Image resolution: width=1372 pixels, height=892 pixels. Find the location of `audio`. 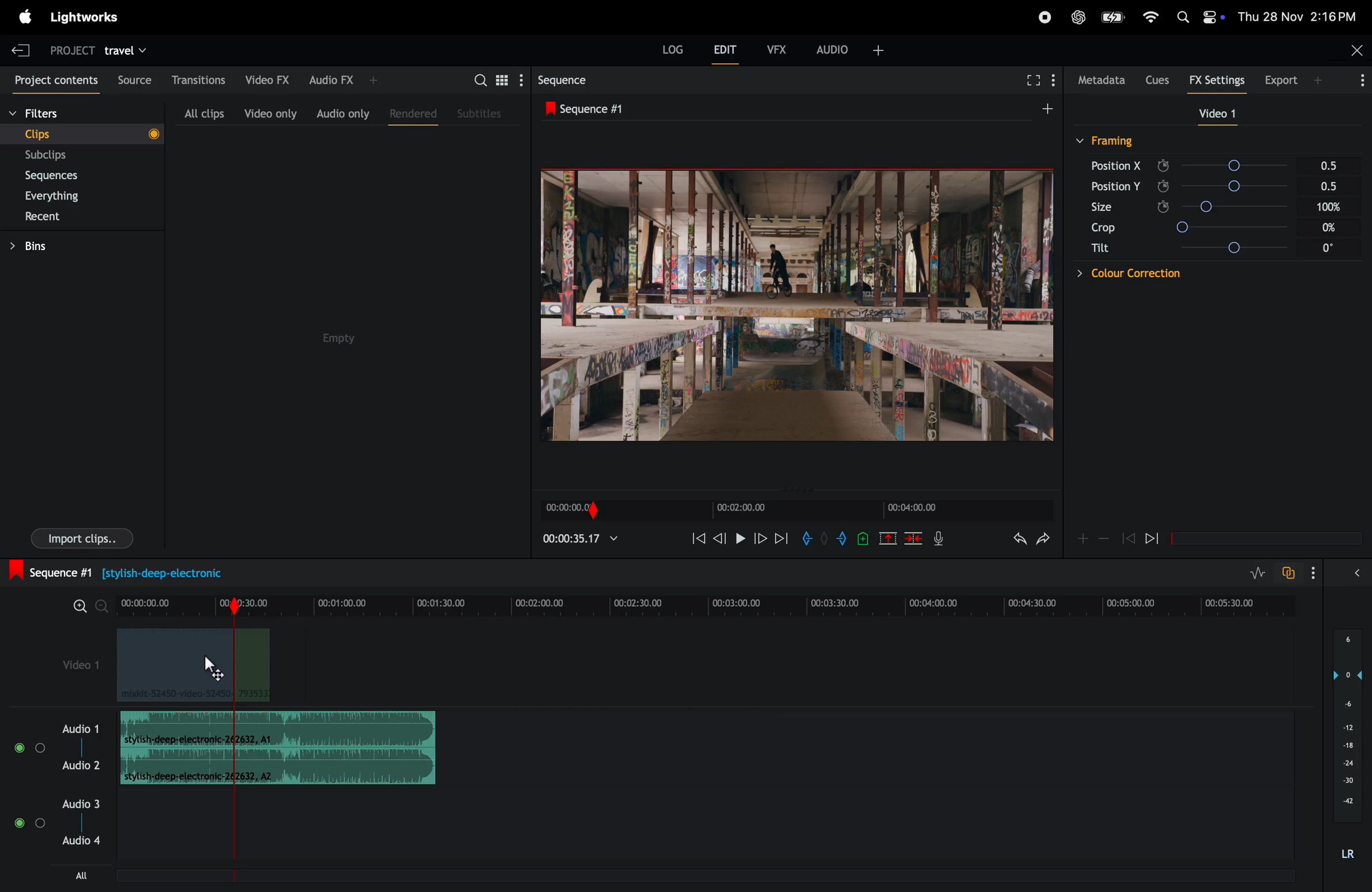

audio is located at coordinates (851, 48).